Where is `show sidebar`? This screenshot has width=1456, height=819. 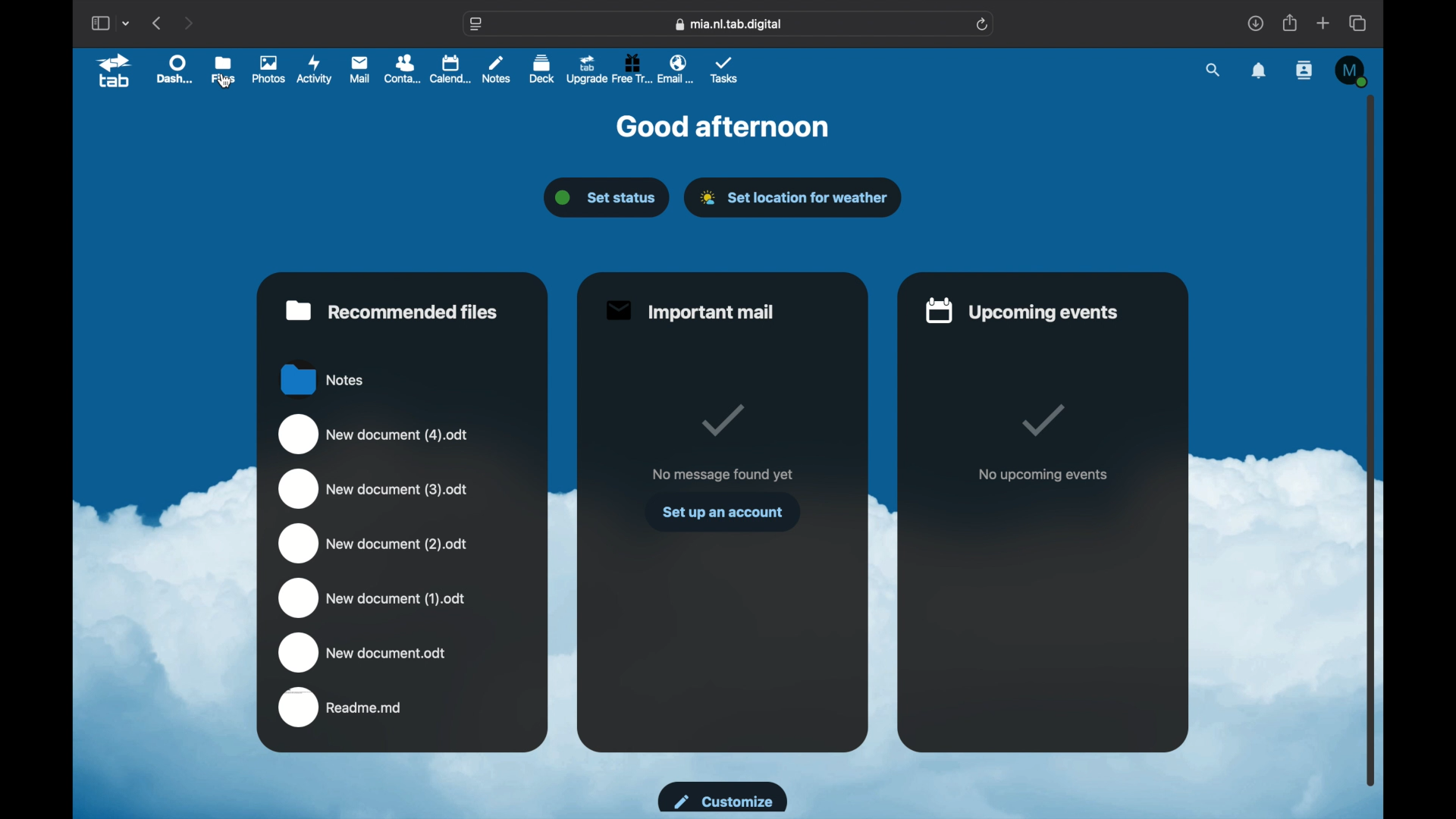 show sidebar is located at coordinates (99, 23).